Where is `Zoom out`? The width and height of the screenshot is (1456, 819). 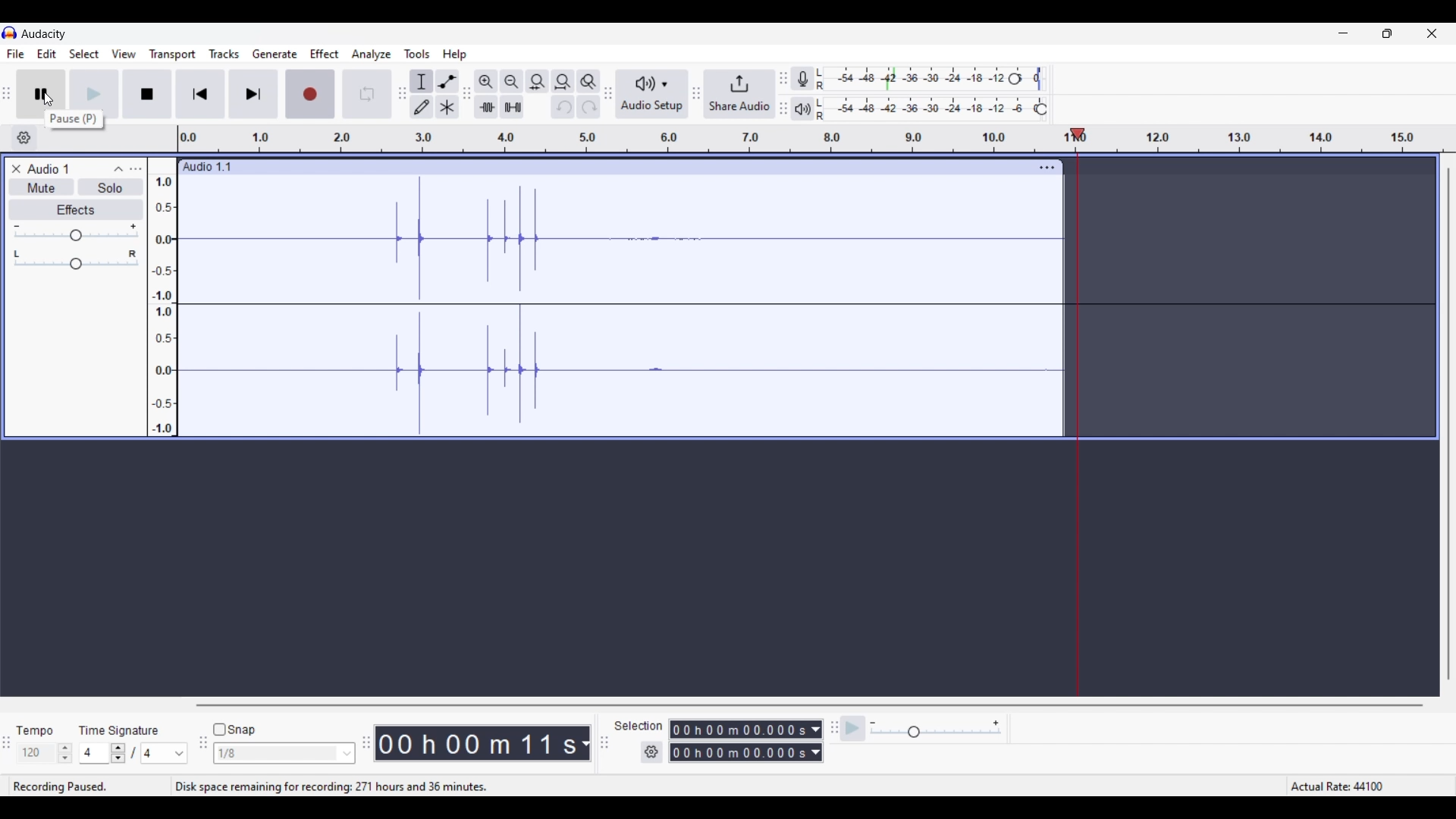
Zoom out is located at coordinates (511, 81).